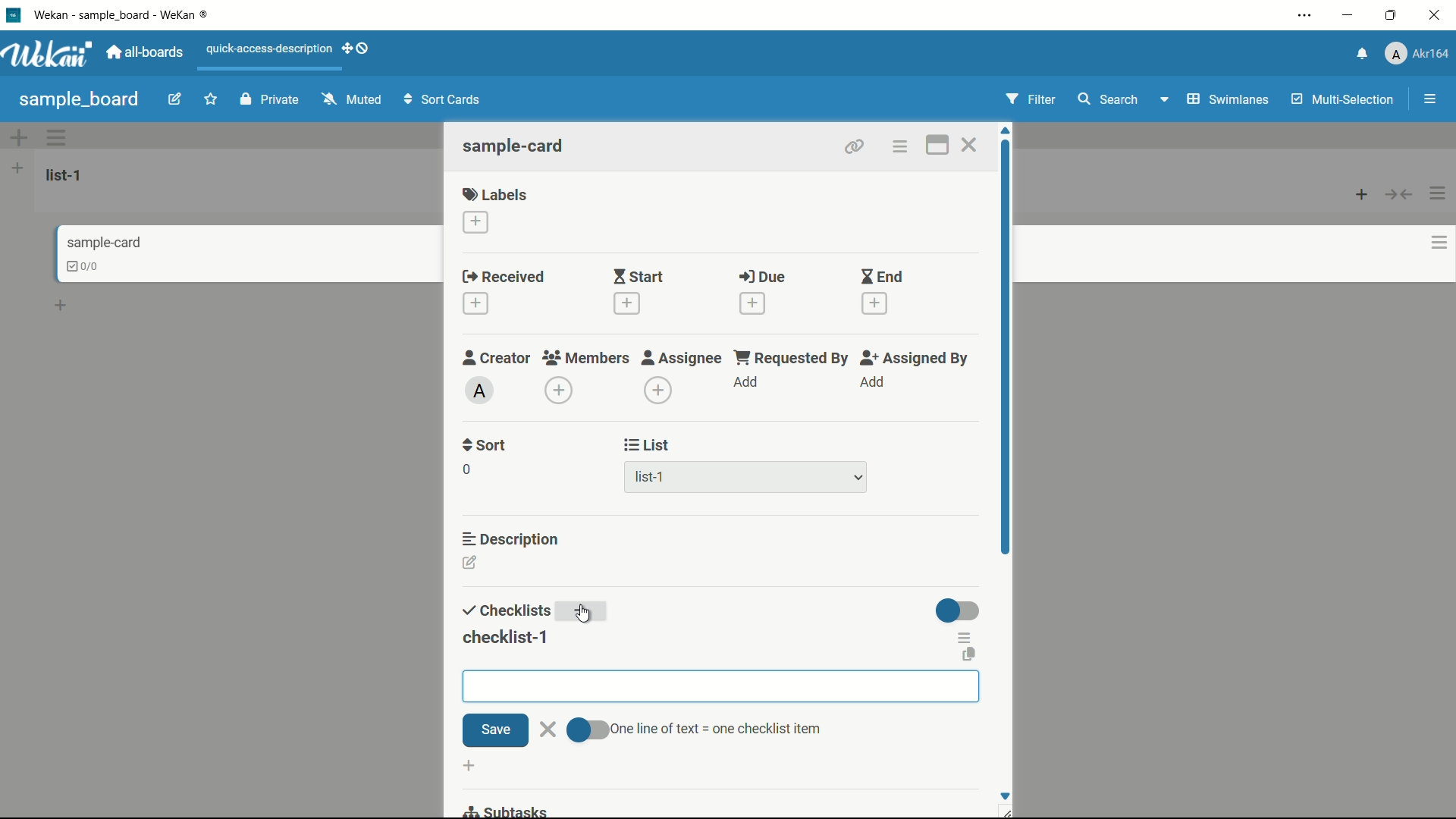 Image resolution: width=1456 pixels, height=819 pixels. What do you see at coordinates (971, 656) in the screenshot?
I see `copy text to clipboard` at bounding box center [971, 656].